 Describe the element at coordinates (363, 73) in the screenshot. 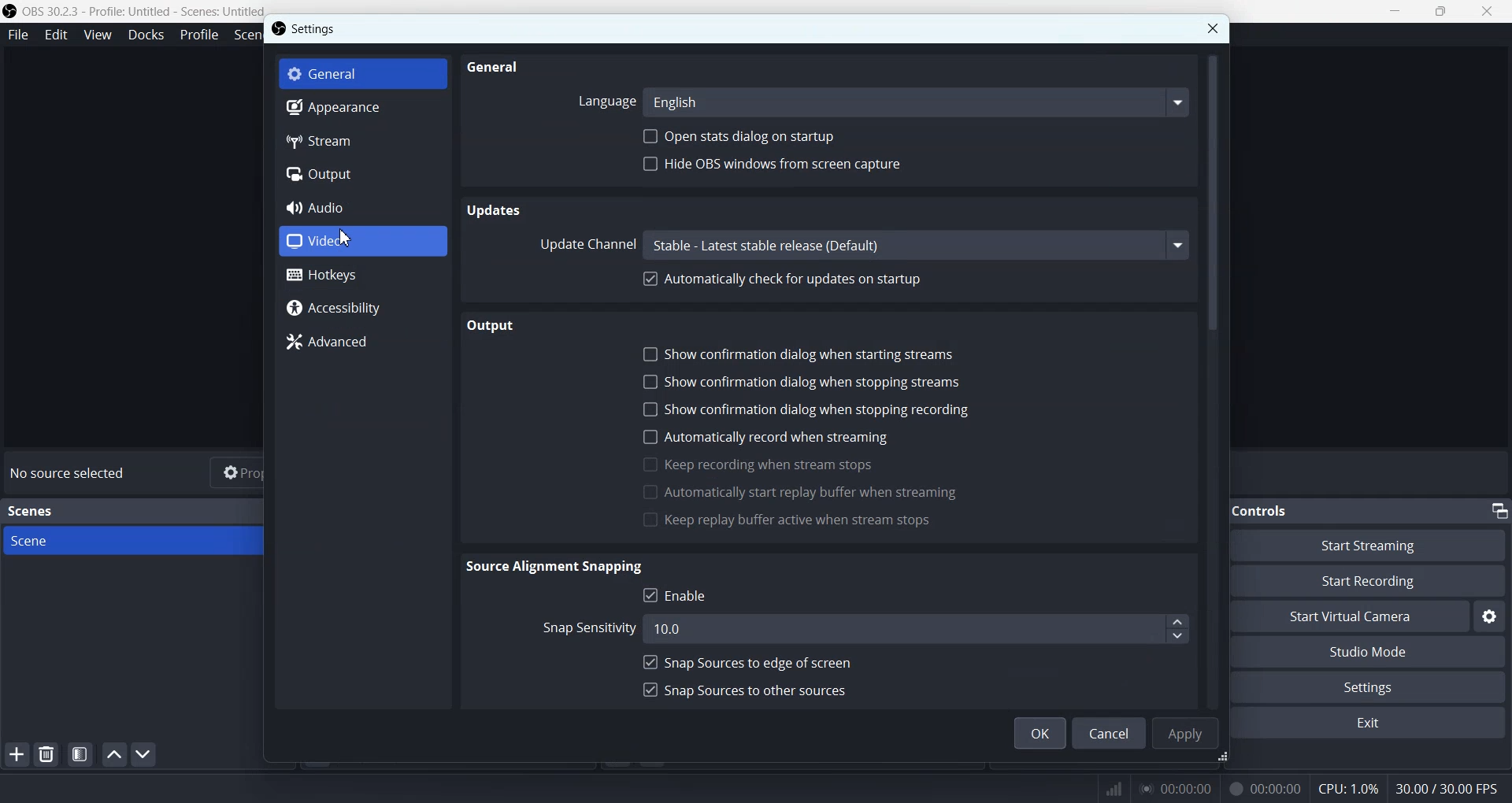

I see `General` at that location.